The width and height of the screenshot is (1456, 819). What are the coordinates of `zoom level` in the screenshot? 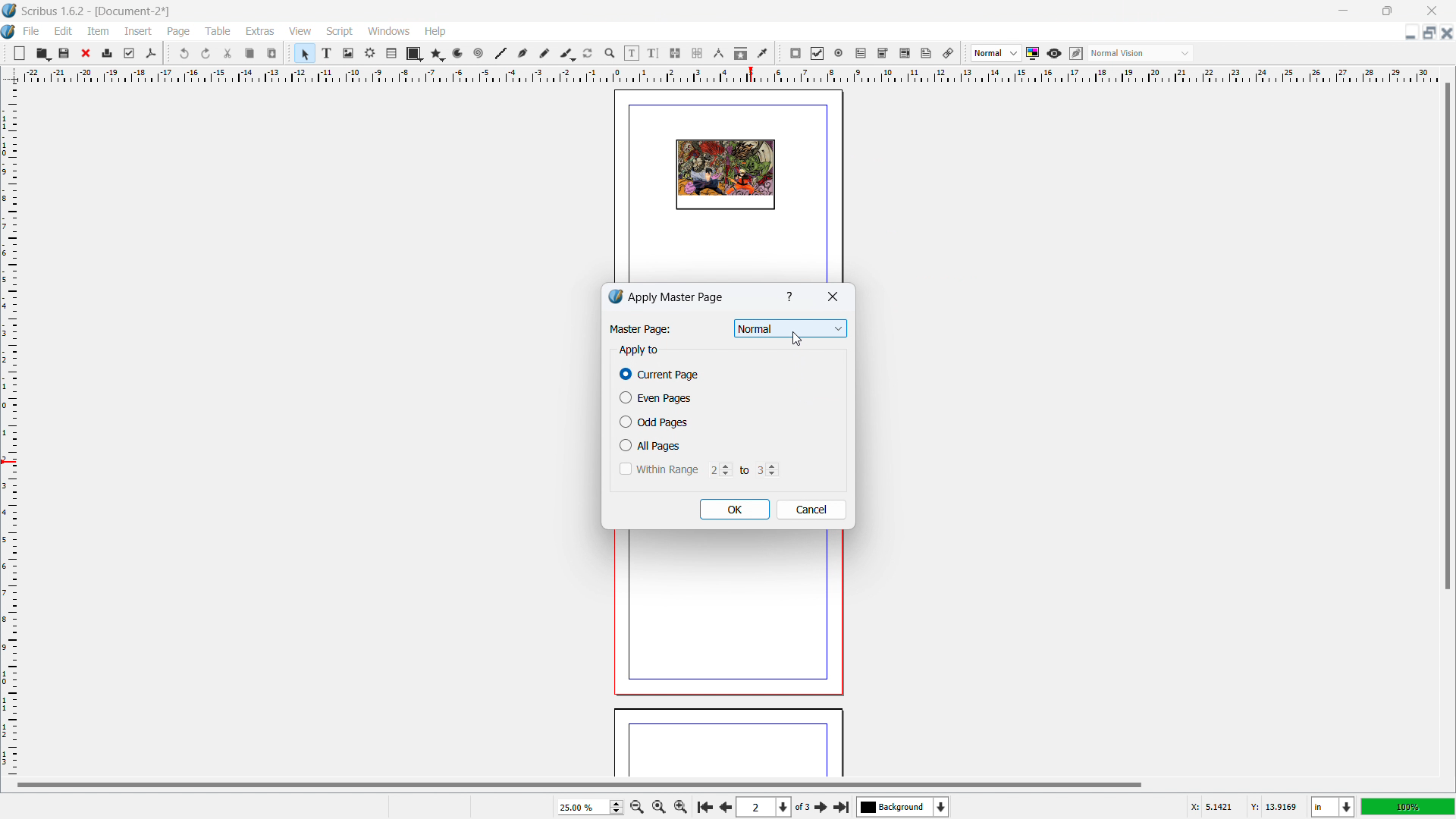 It's located at (590, 807).